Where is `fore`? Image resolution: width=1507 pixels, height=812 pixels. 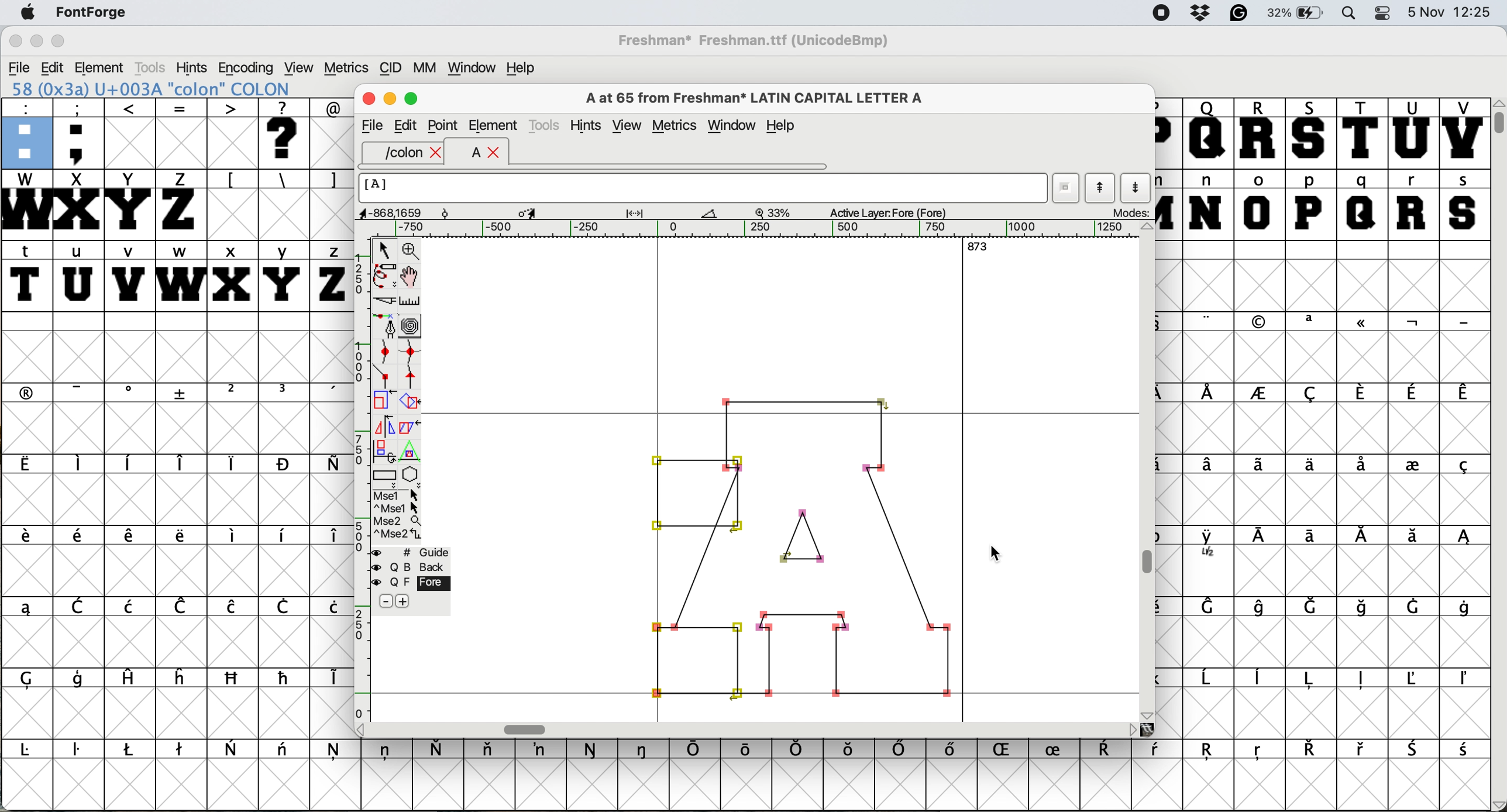
fore is located at coordinates (411, 582).